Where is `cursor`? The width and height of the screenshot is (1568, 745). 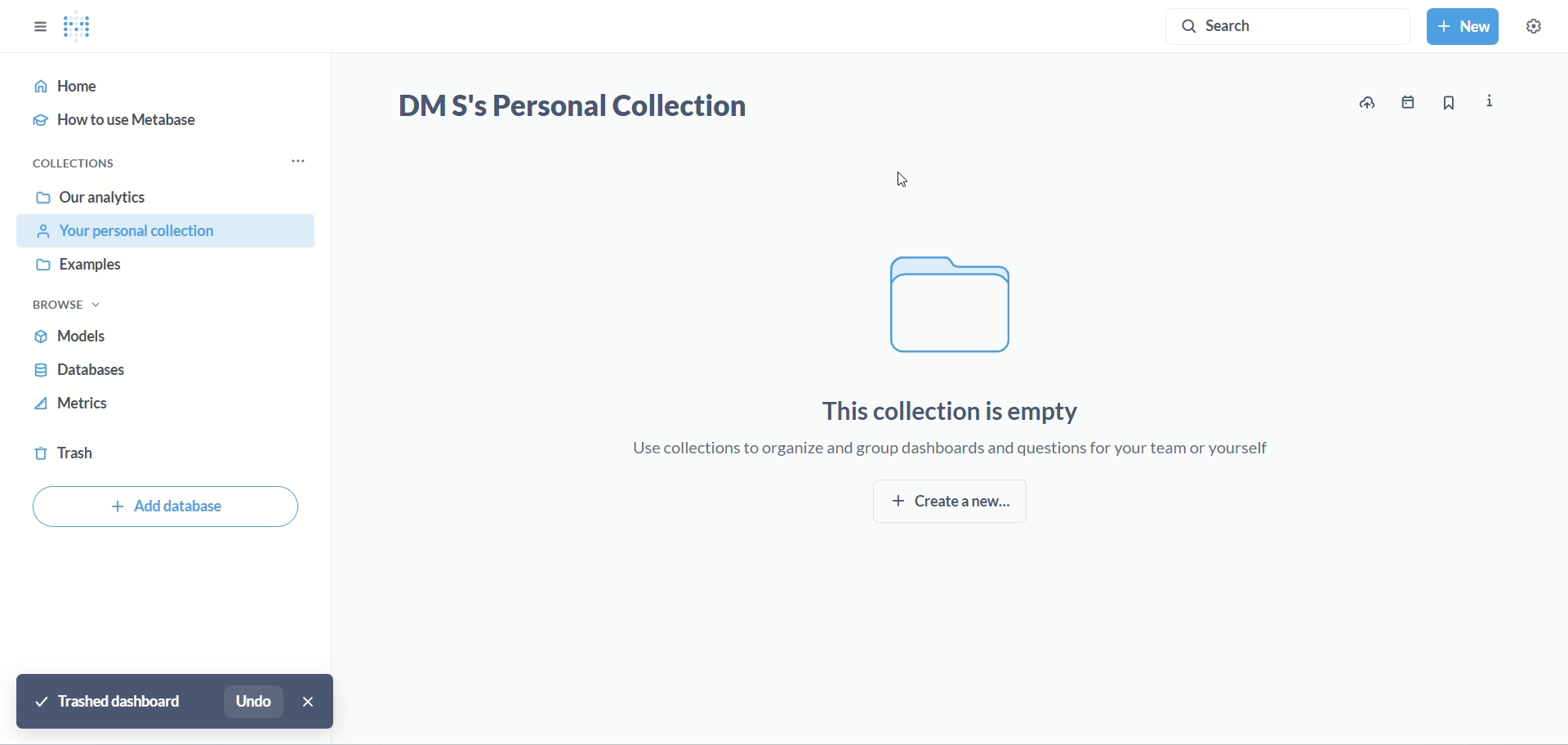
cursor is located at coordinates (909, 181).